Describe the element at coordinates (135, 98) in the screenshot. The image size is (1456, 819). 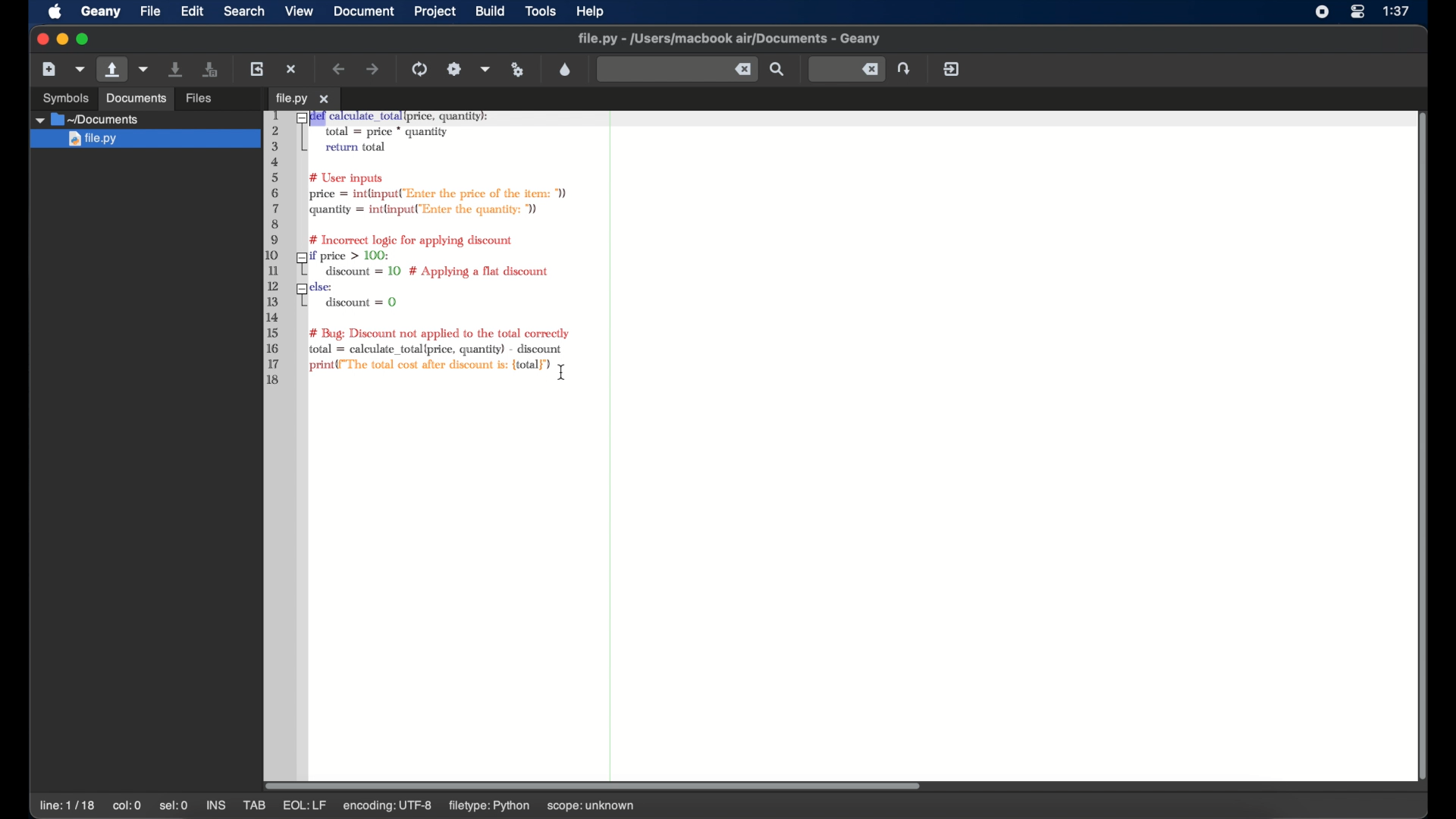
I see `documents` at that location.